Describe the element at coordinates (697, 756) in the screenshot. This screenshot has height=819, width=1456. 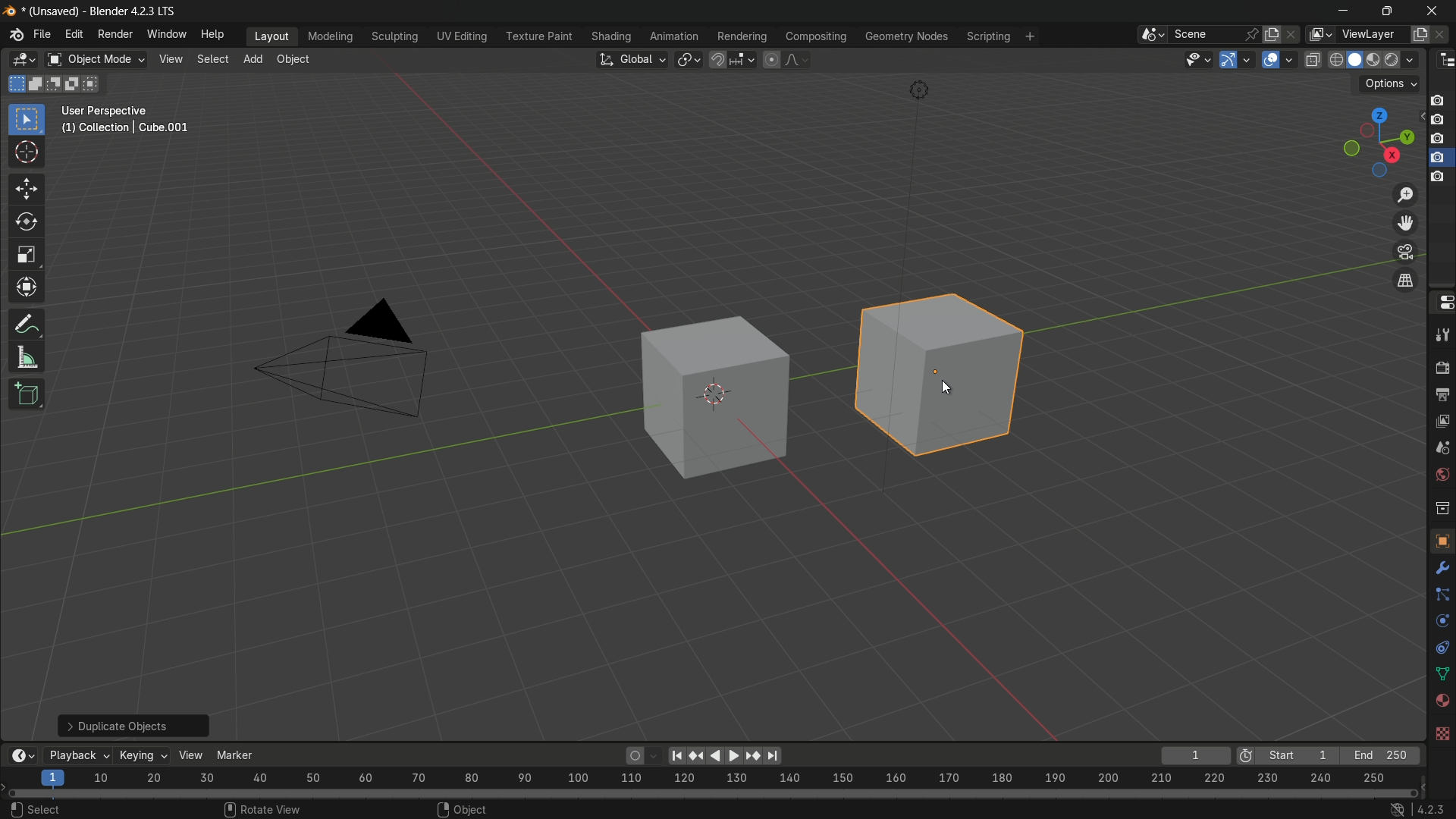
I see `Play before` at that location.